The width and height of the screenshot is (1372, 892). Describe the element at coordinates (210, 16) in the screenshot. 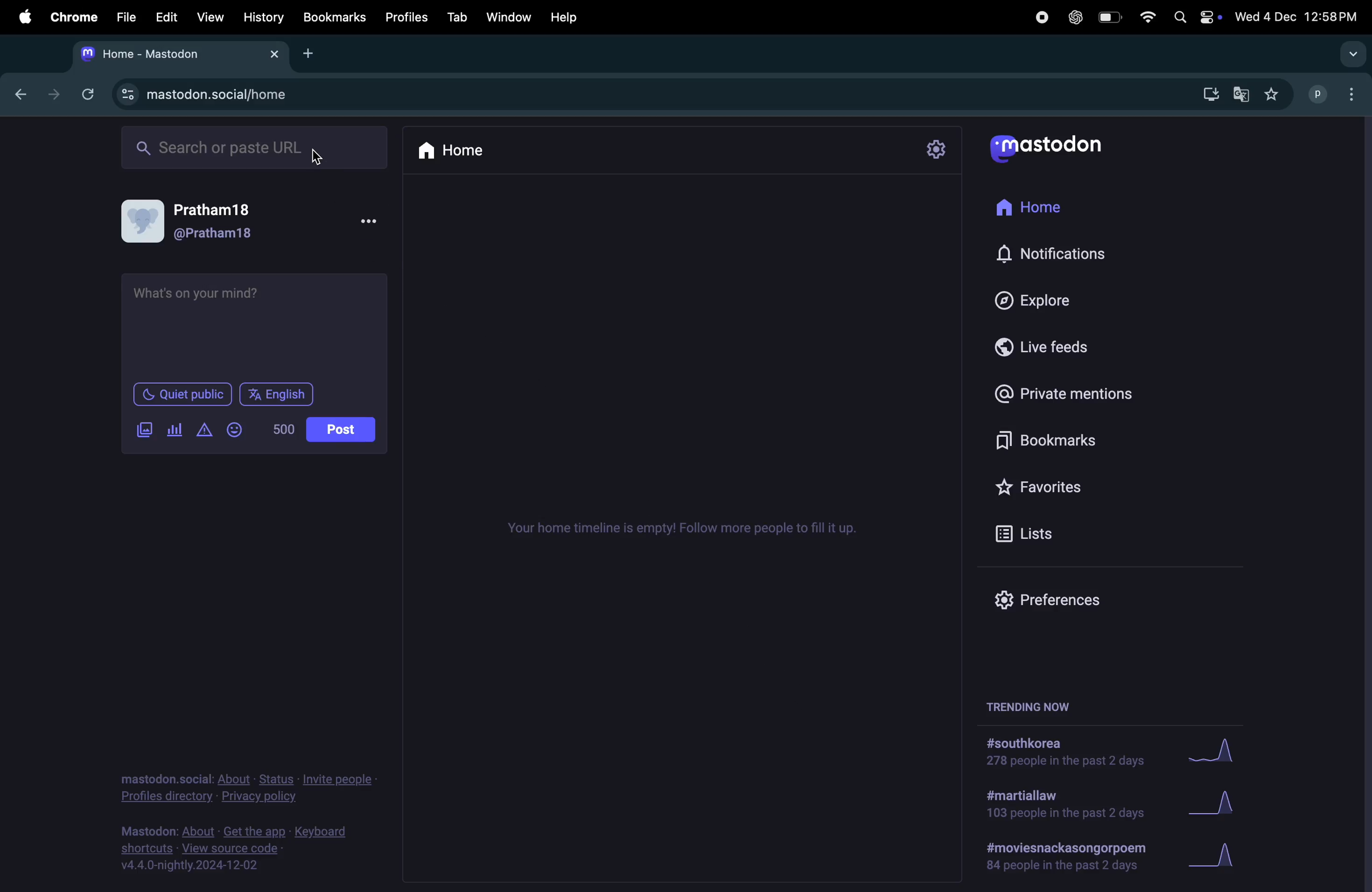

I see `View` at that location.